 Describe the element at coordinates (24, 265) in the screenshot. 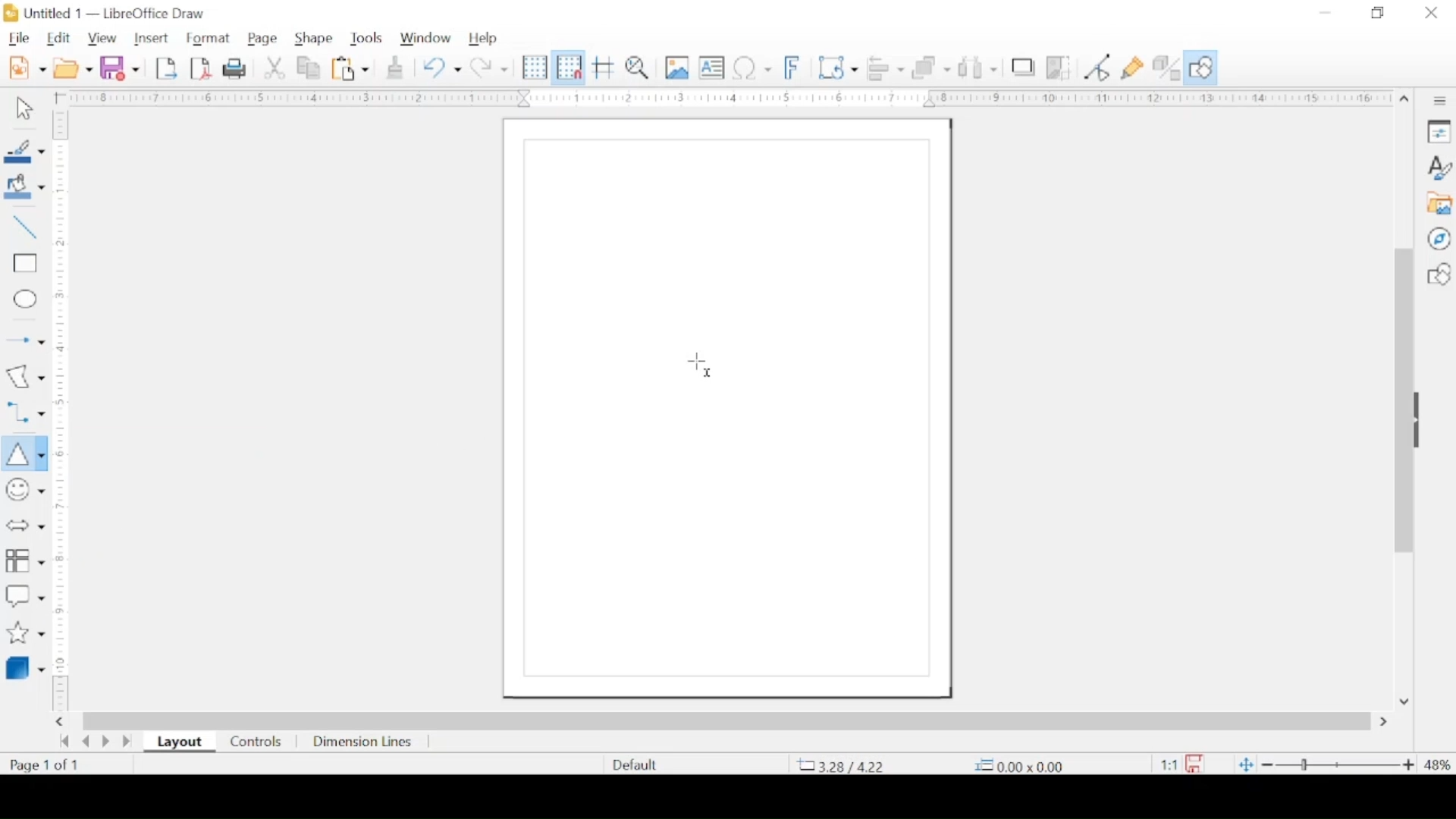

I see `insert rectangle` at that location.